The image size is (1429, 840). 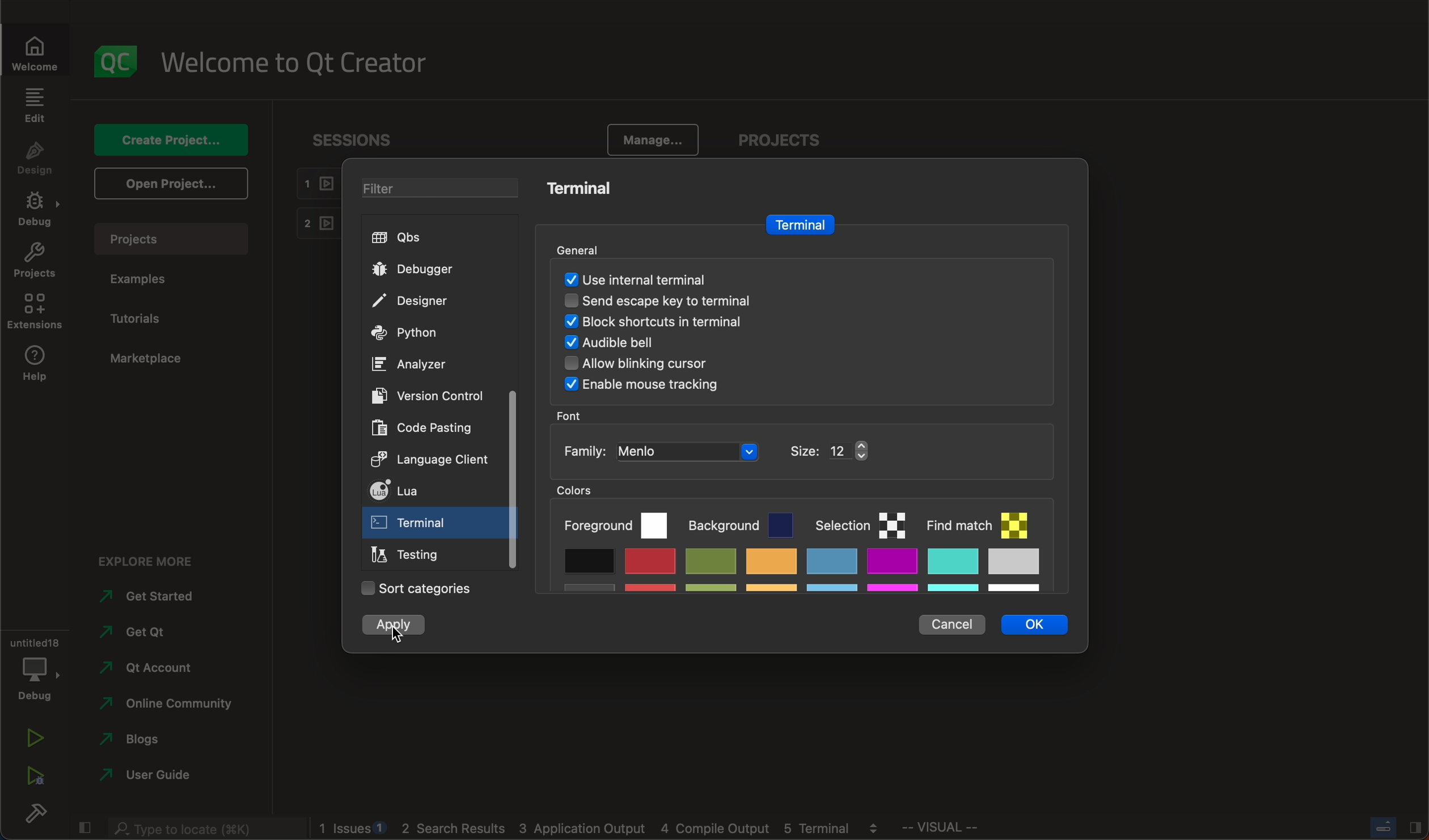 What do you see at coordinates (405, 237) in the screenshot?
I see `qbs` at bounding box center [405, 237].